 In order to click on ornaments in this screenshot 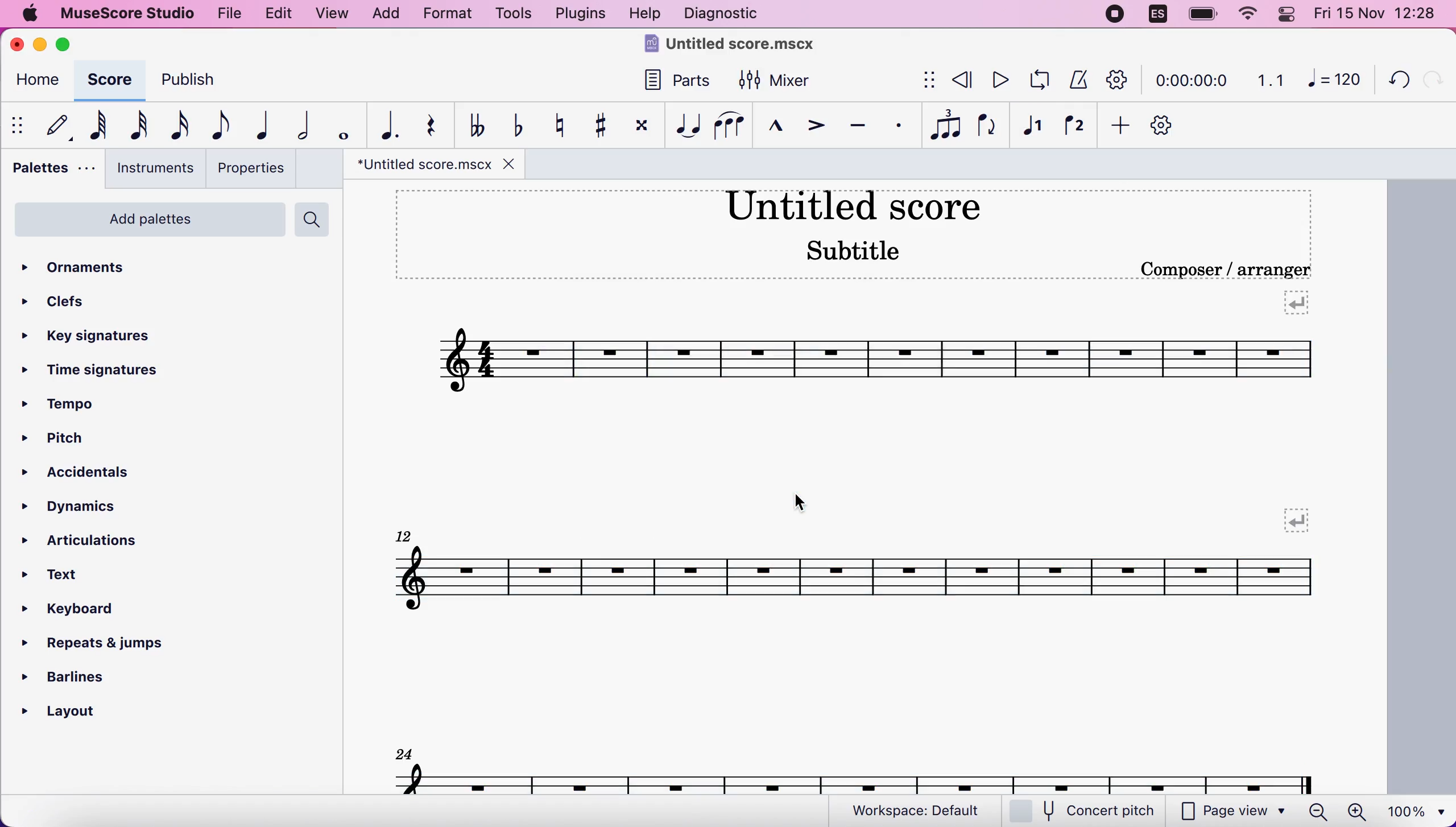, I will do `click(93, 268)`.